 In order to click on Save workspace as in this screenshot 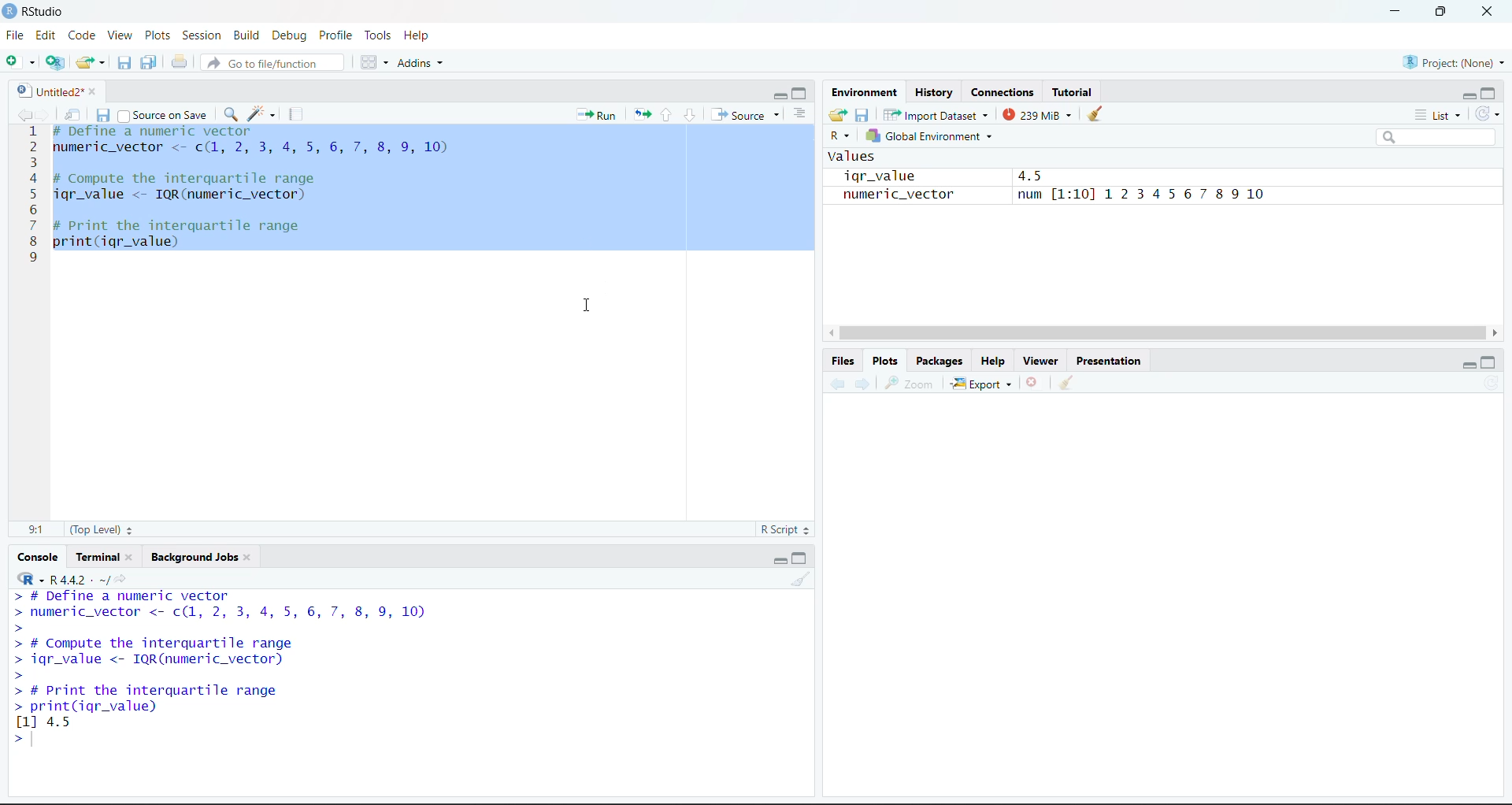, I will do `click(863, 117)`.